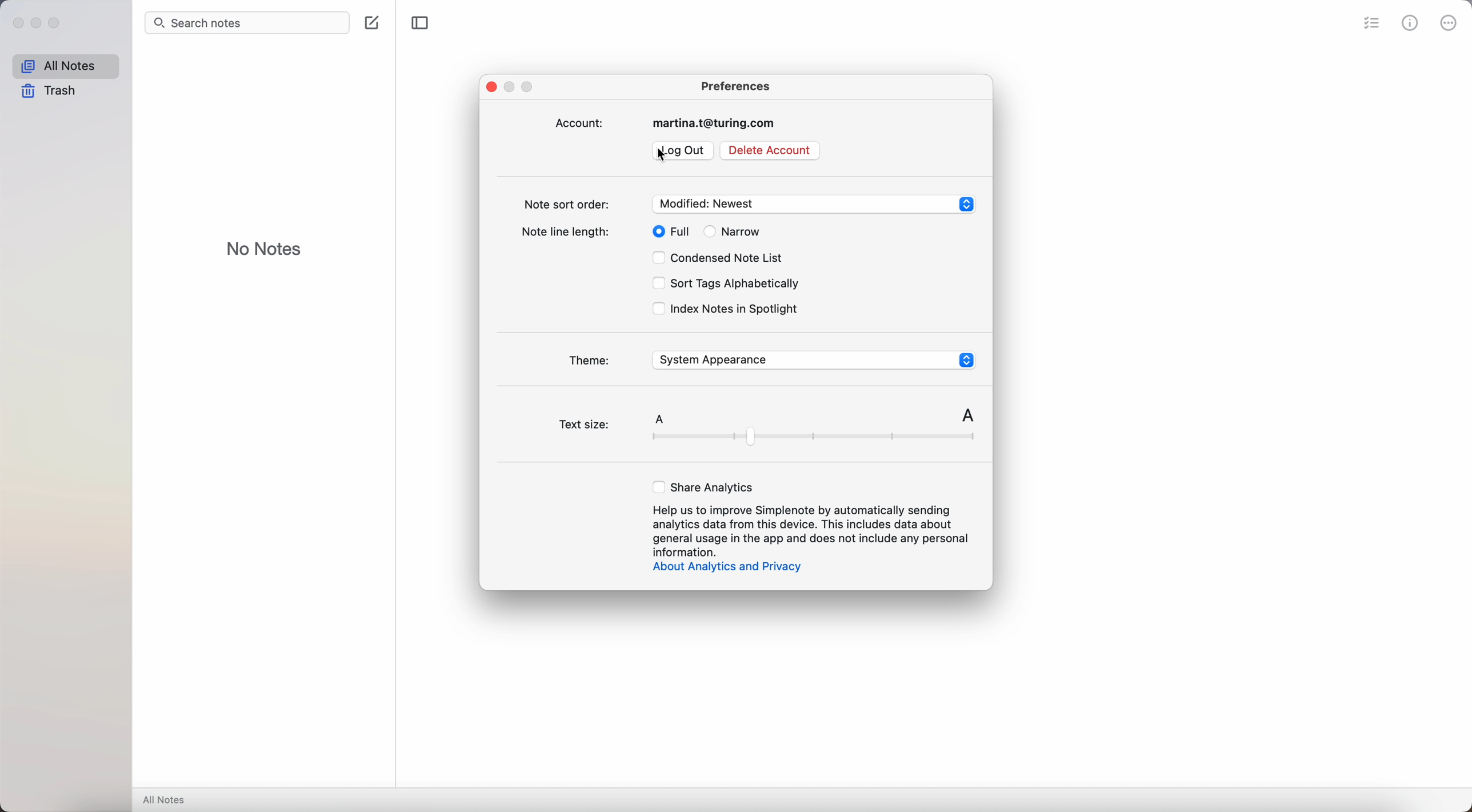 The height and width of the screenshot is (812, 1472). What do you see at coordinates (718, 125) in the screenshot?
I see `martina.t@turing.com` at bounding box center [718, 125].